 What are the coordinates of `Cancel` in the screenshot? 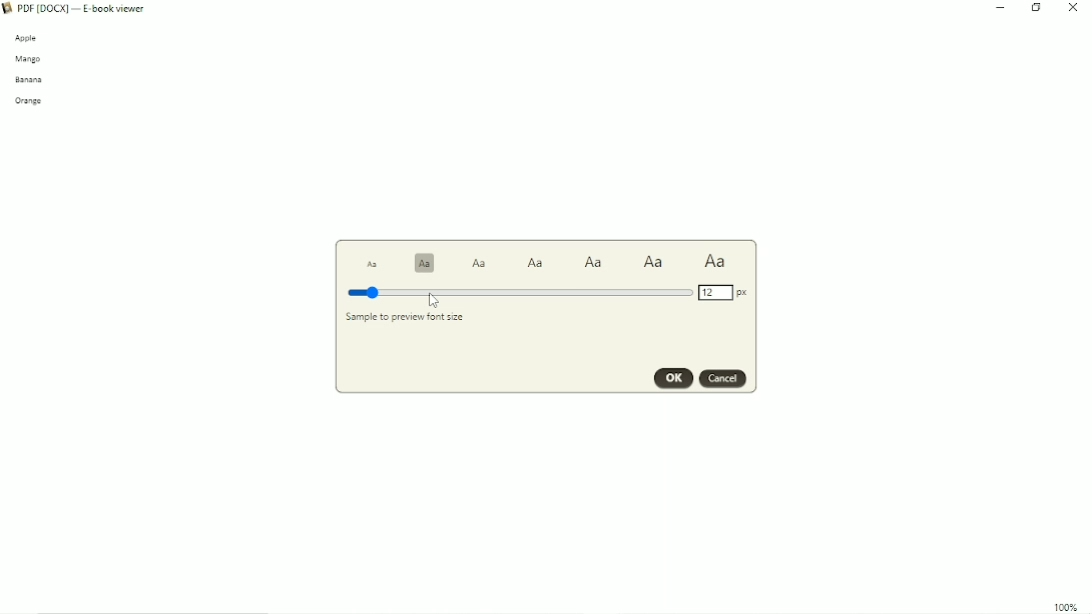 It's located at (722, 379).